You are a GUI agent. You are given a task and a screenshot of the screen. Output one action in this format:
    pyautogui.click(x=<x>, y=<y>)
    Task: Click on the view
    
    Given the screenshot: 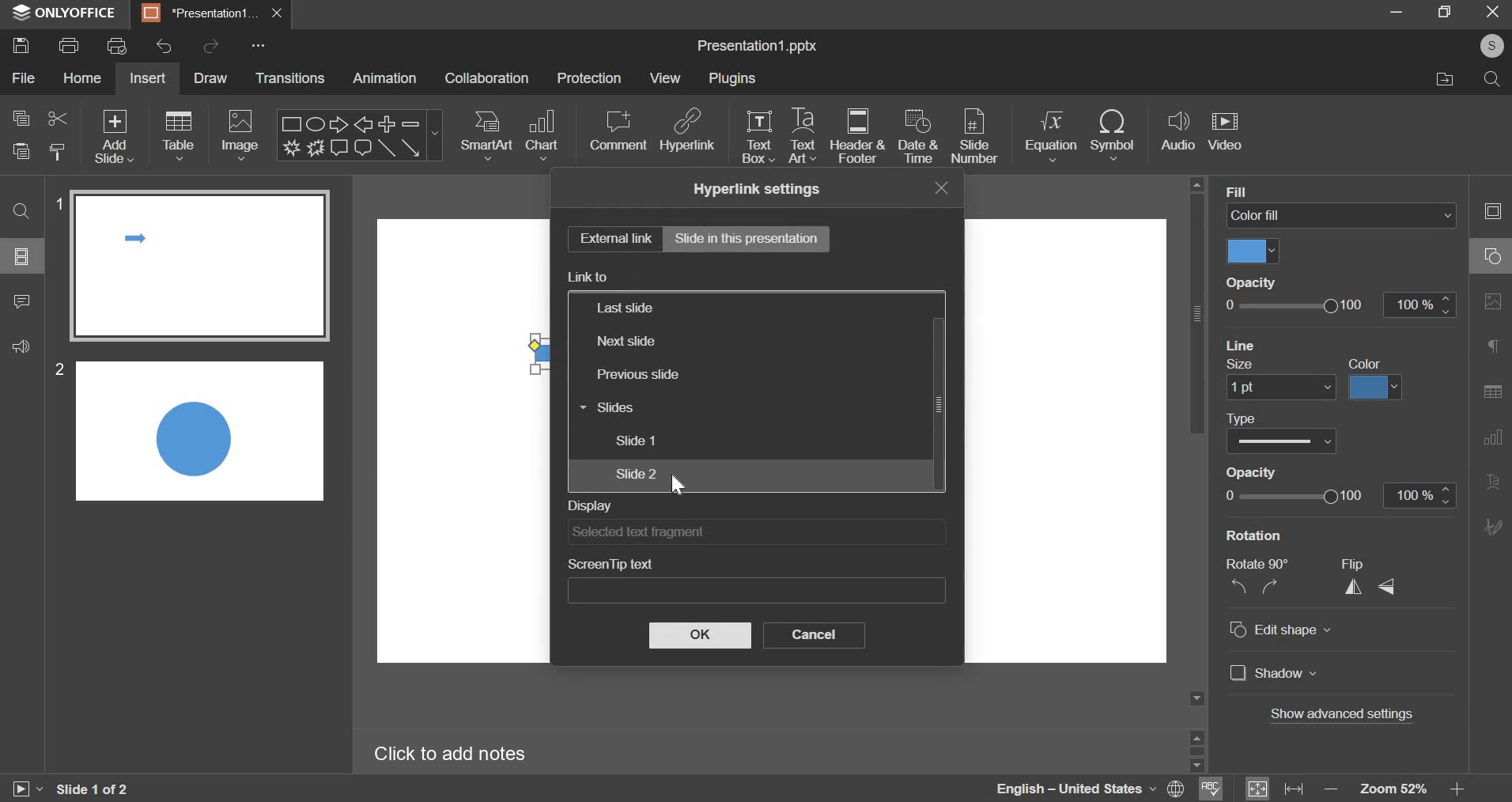 What is the action you would take?
    pyautogui.click(x=665, y=79)
    